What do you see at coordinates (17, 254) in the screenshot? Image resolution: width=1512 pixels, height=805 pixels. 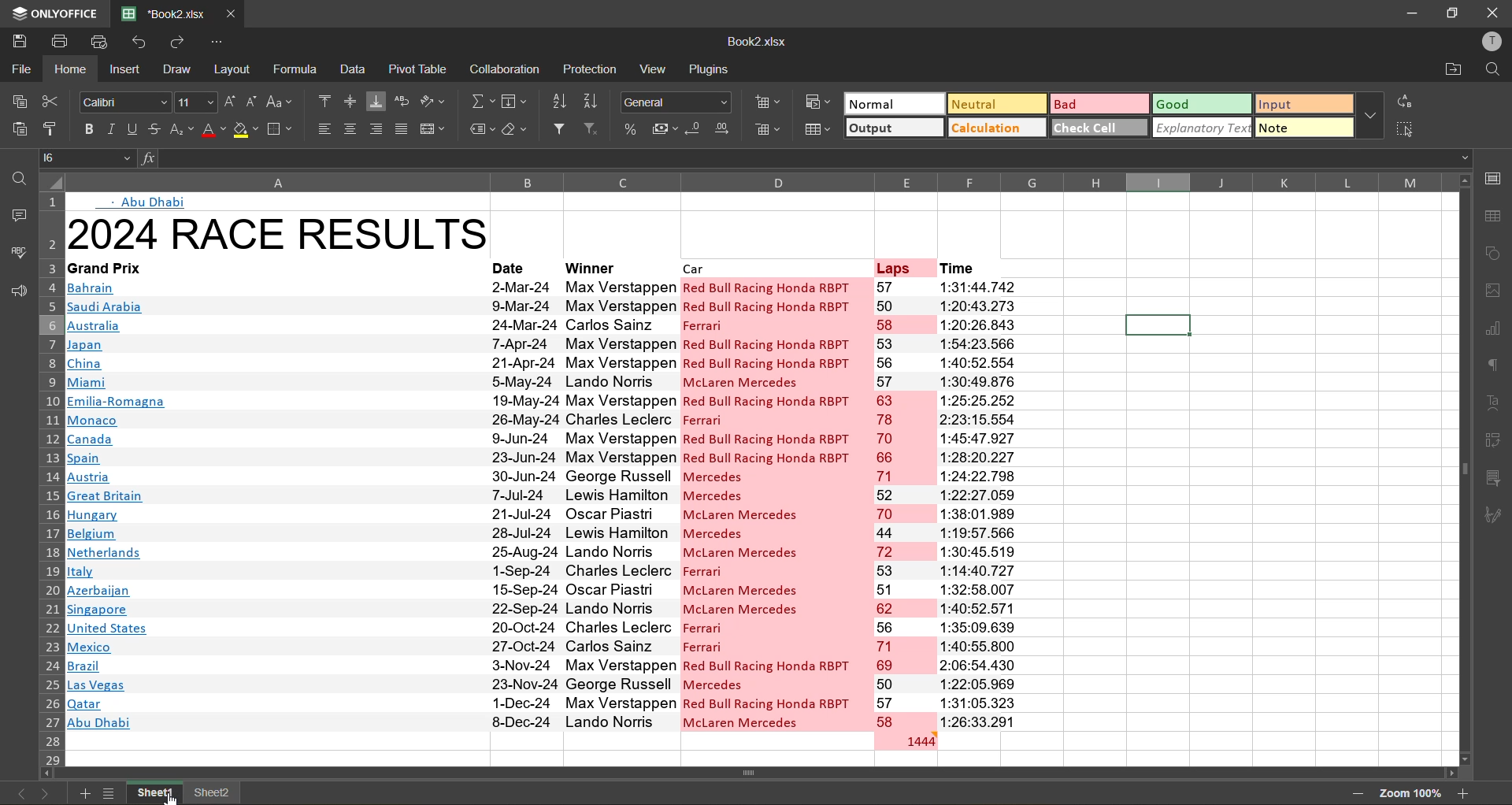 I see `spellcheck` at bounding box center [17, 254].